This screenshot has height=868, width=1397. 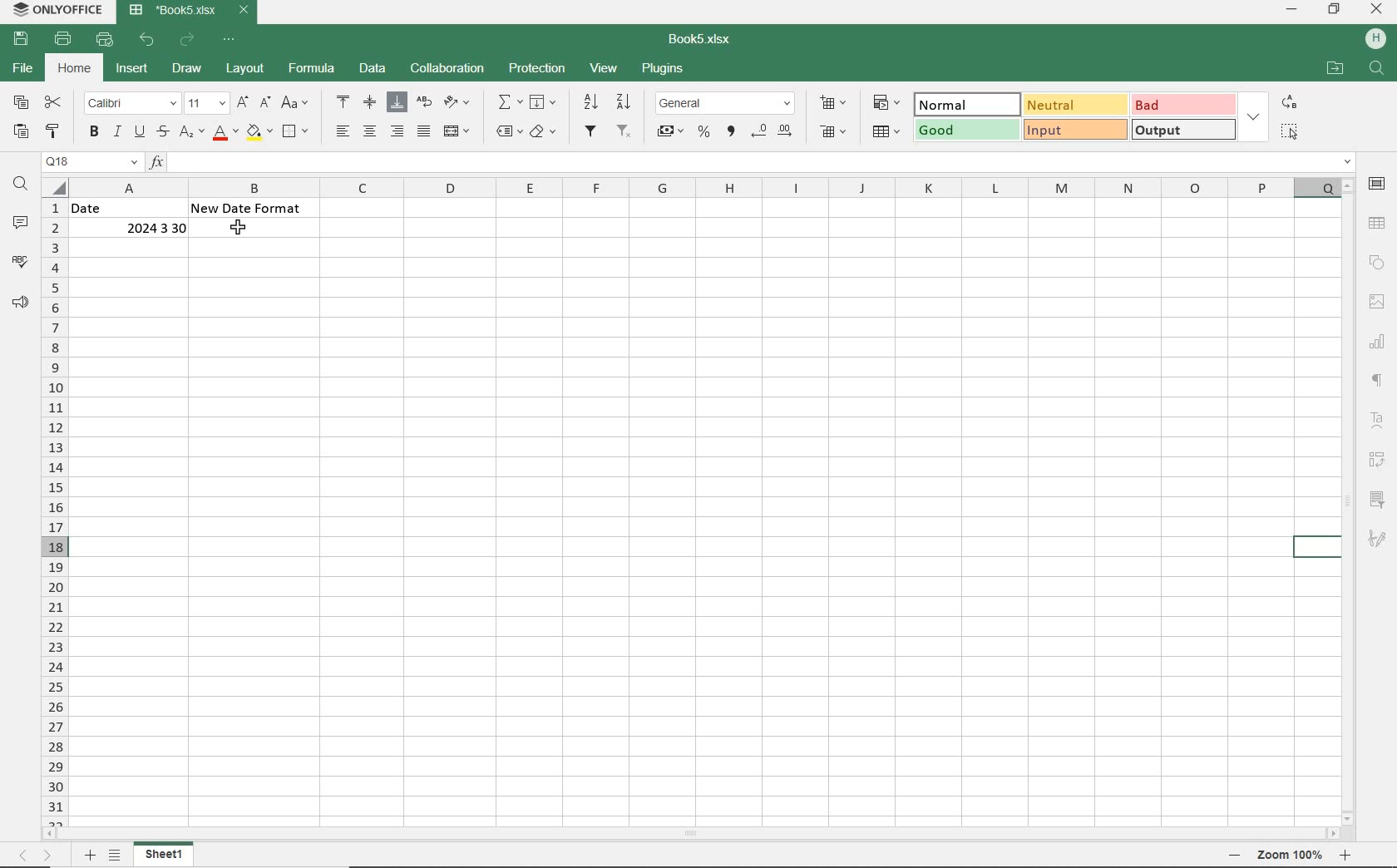 What do you see at coordinates (341, 131) in the screenshot?
I see `ALIGN LEFT` at bounding box center [341, 131].